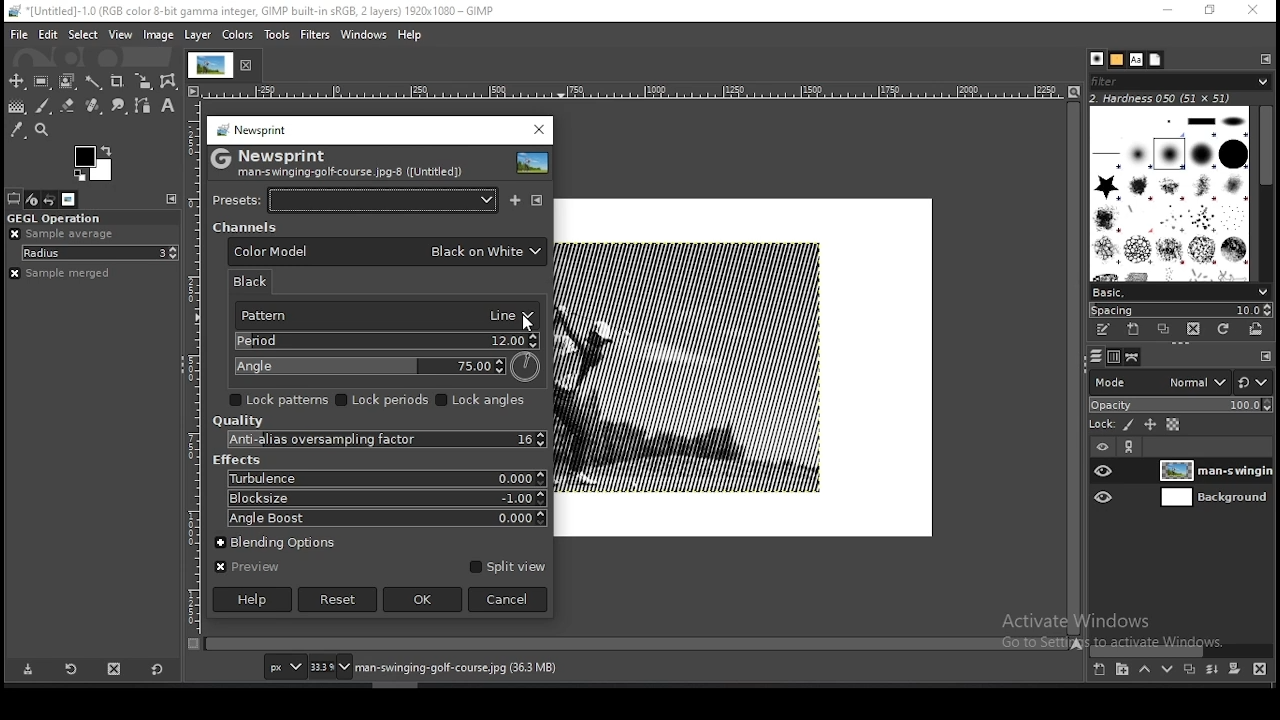  What do you see at coordinates (244, 227) in the screenshot?
I see `channel` at bounding box center [244, 227].